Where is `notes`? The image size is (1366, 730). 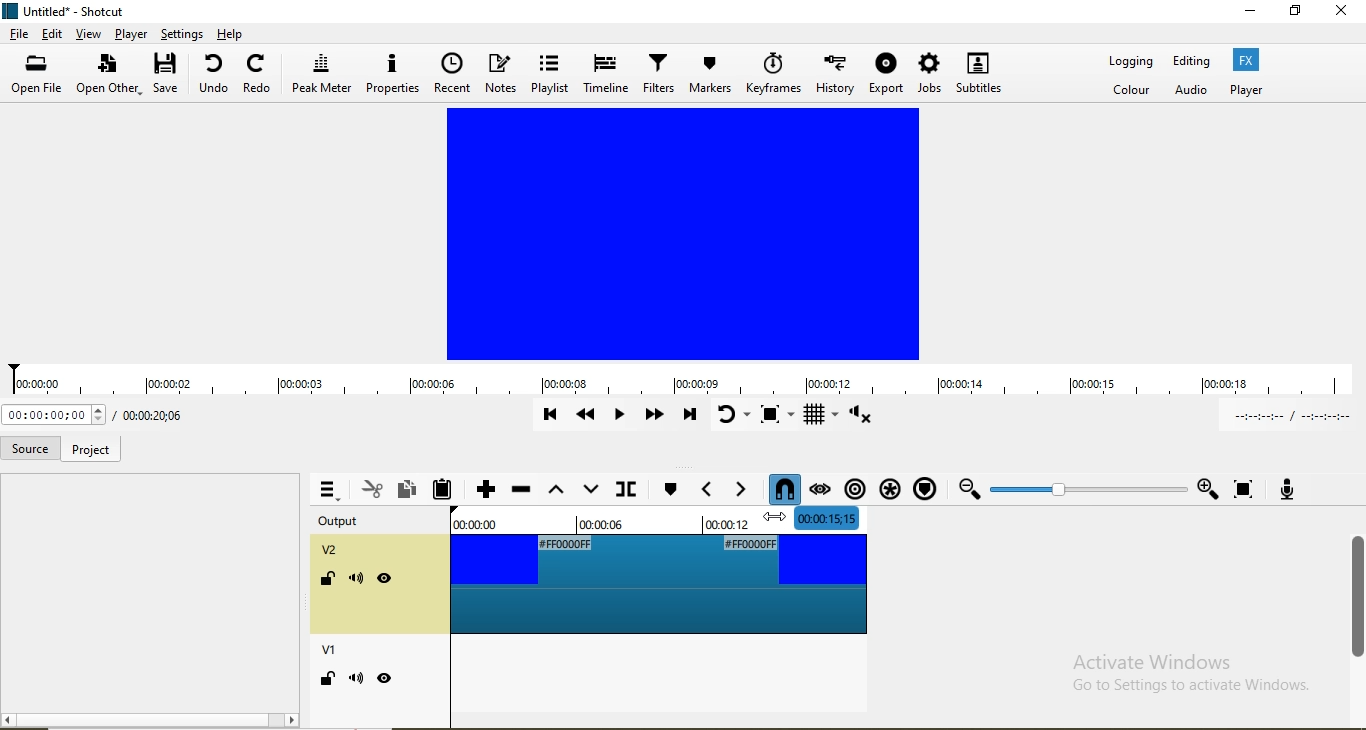
notes is located at coordinates (502, 75).